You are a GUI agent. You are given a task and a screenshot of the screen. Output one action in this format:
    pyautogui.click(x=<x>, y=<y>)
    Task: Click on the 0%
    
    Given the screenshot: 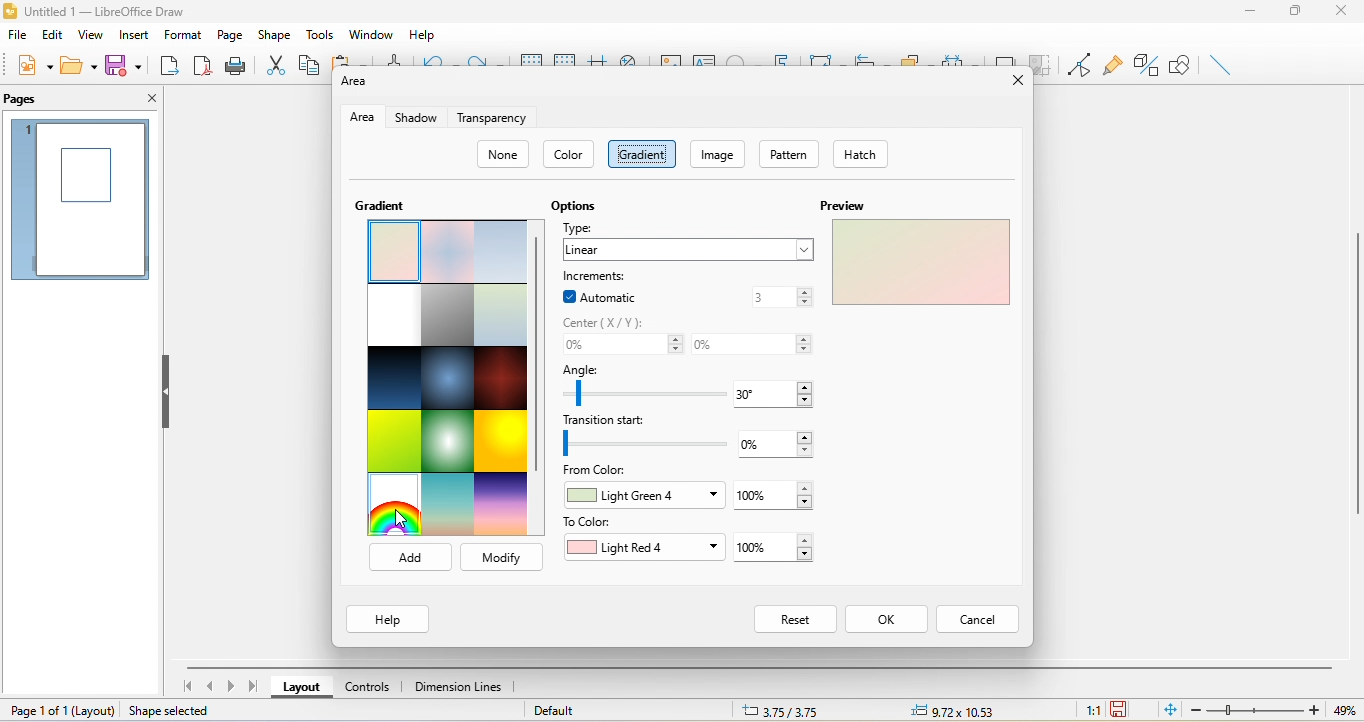 What is the action you would take?
    pyautogui.click(x=619, y=346)
    